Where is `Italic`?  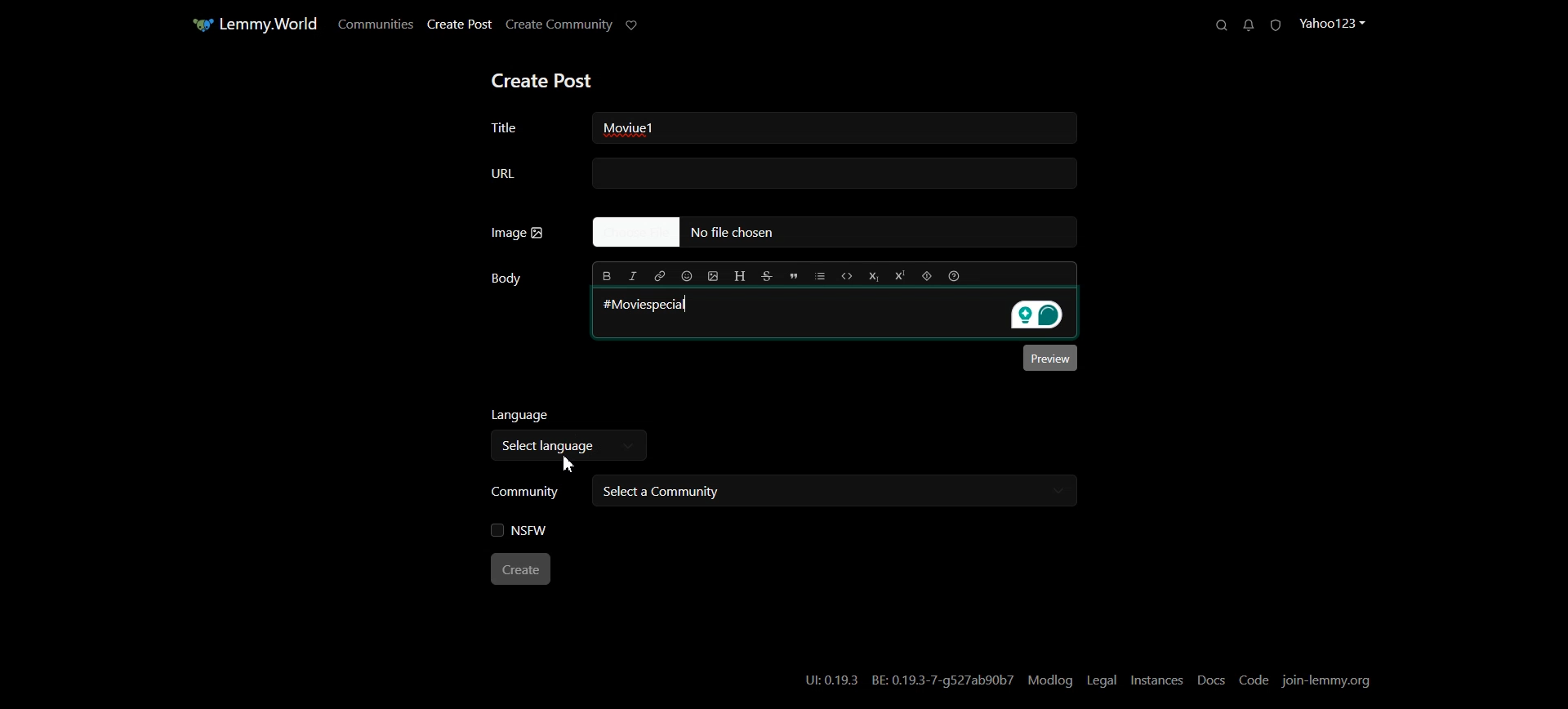
Italic is located at coordinates (634, 276).